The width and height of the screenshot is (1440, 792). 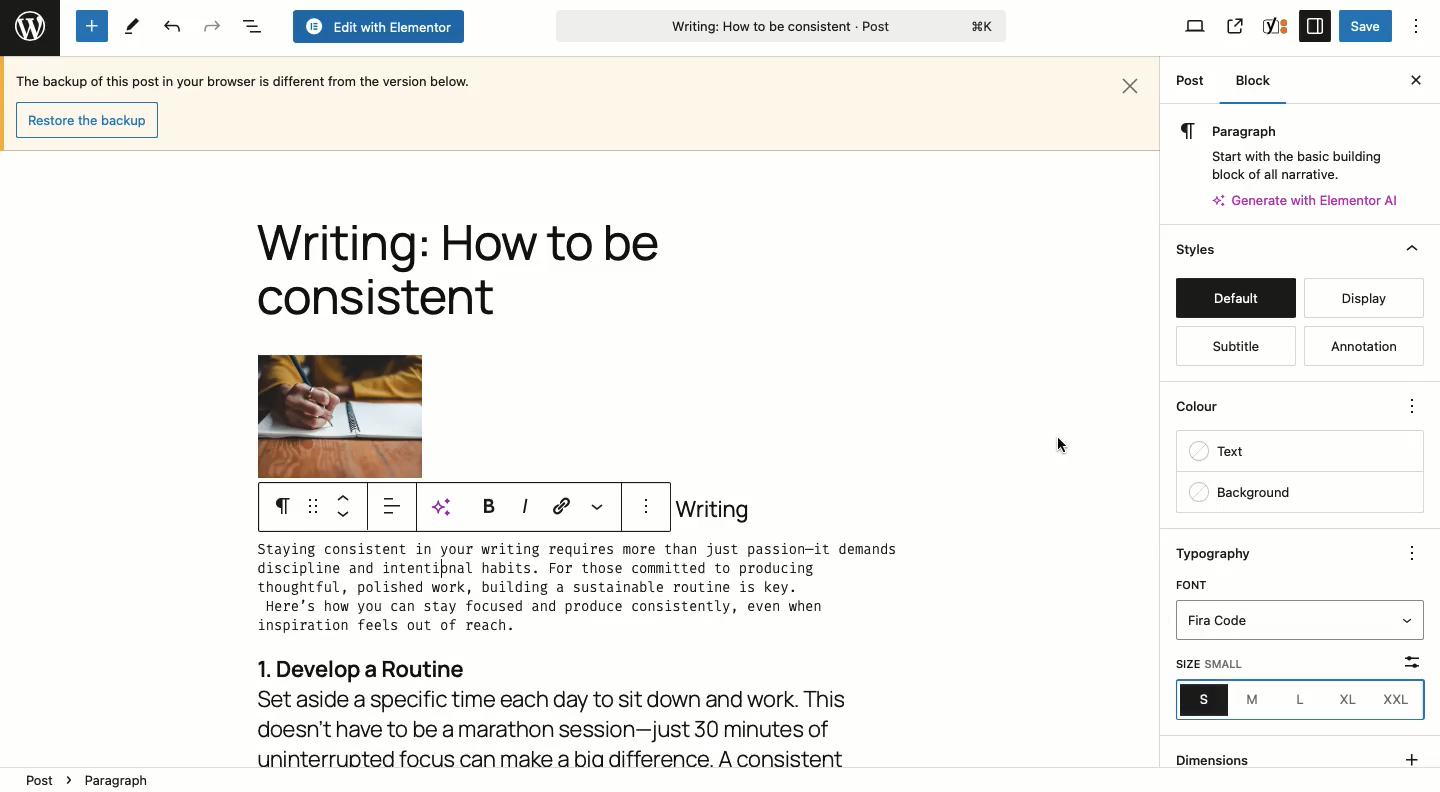 I want to click on Fira code, so click(x=1302, y=622).